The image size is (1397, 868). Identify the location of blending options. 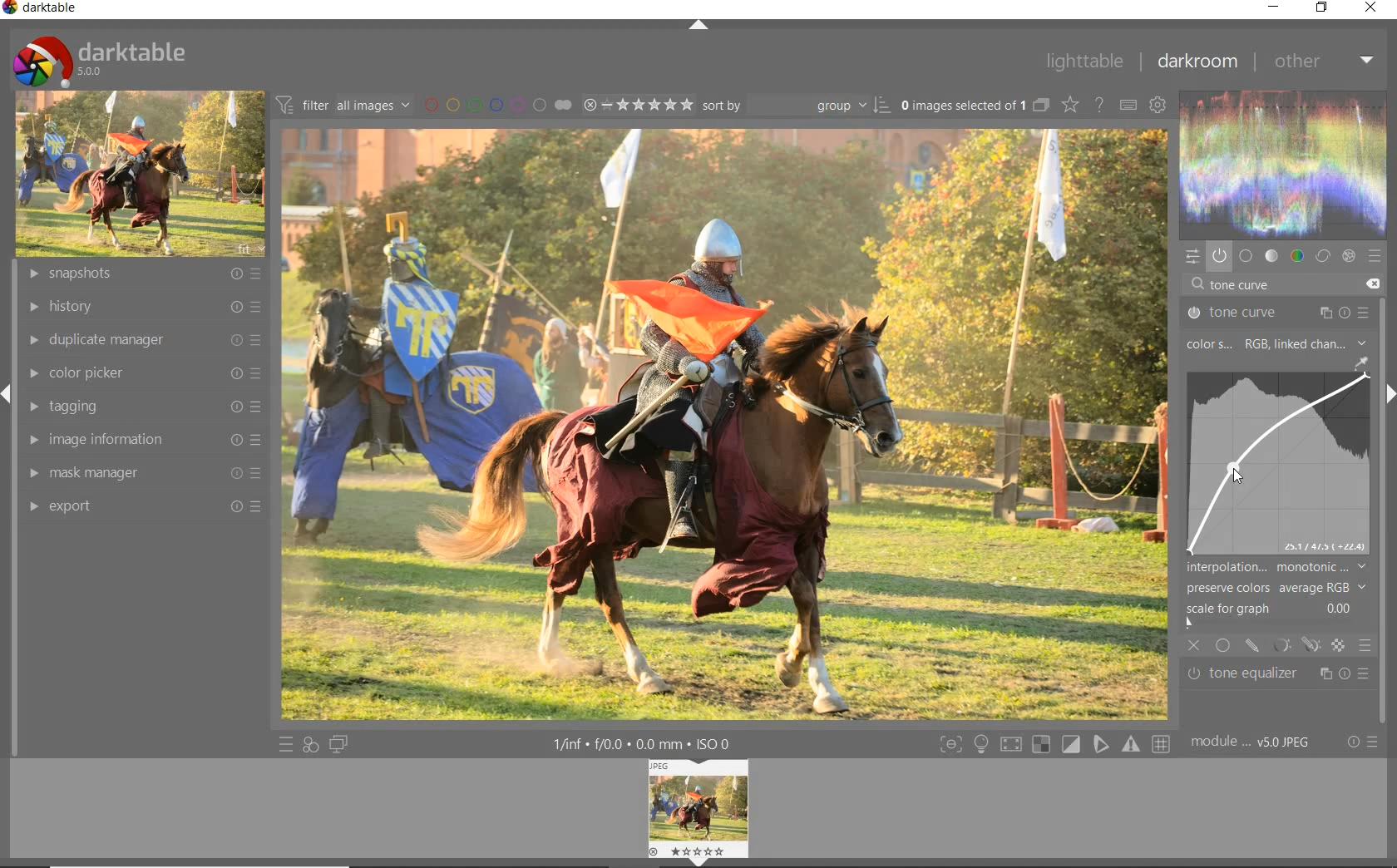
(1364, 644).